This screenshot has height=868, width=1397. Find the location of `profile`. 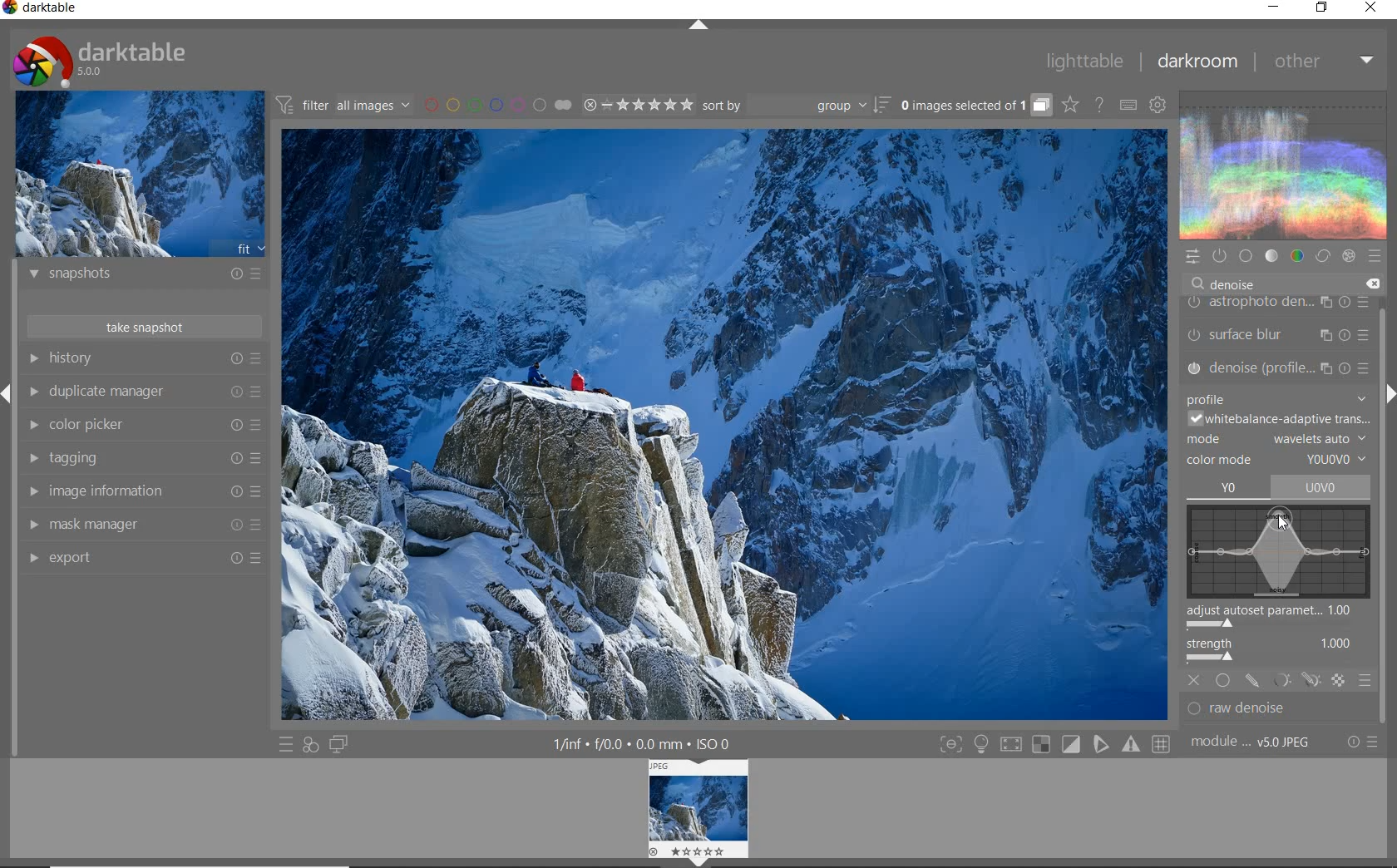

profile is located at coordinates (1276, 395).